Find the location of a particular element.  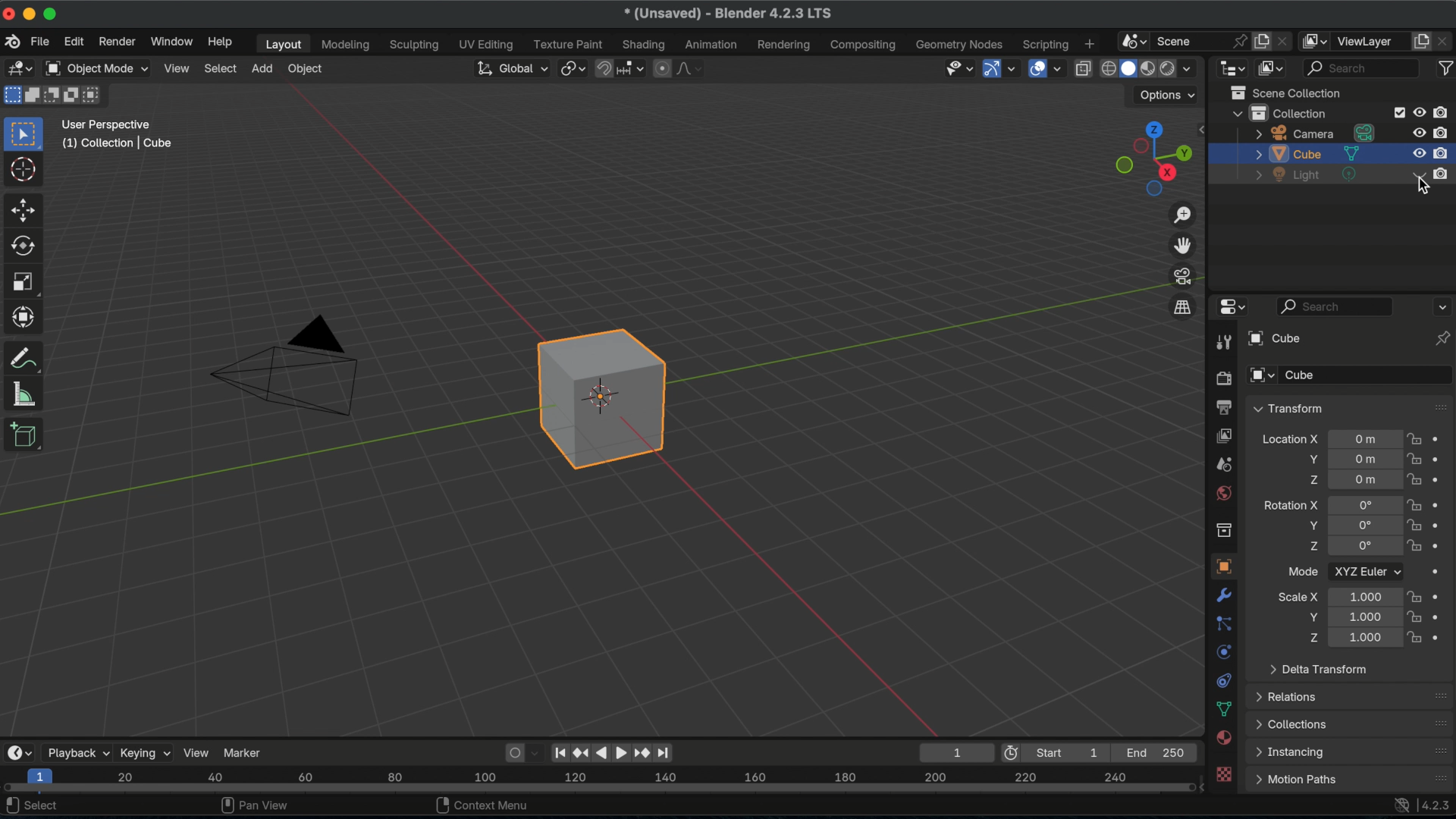

mode subtract existing selection is located at coordinates (52, 97).